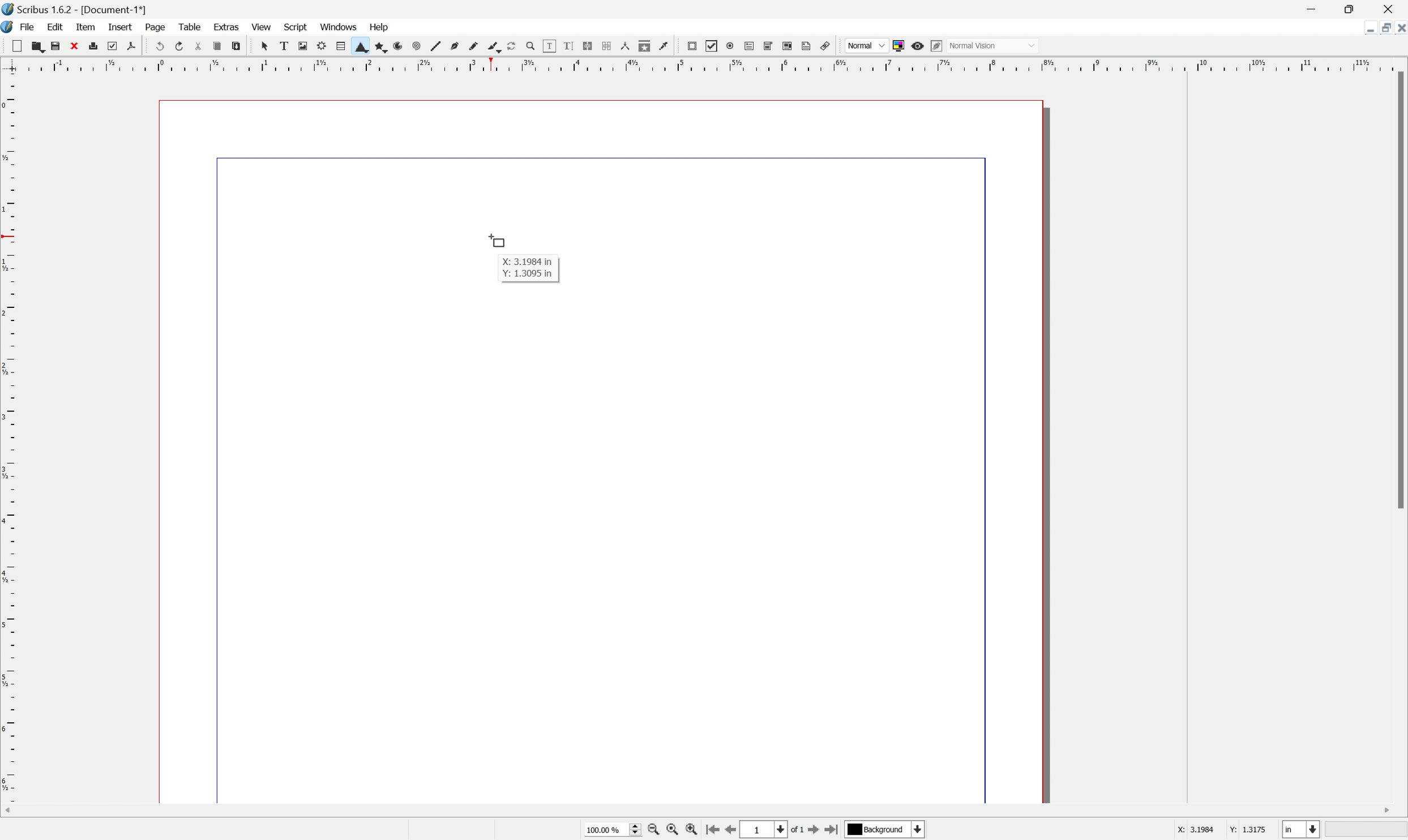 This screenshot has width=1408, height=840. What do you see at coordinates (898, 46) in the screenshot?
I see `Toggle color management system` at bounding box center [898, 46].